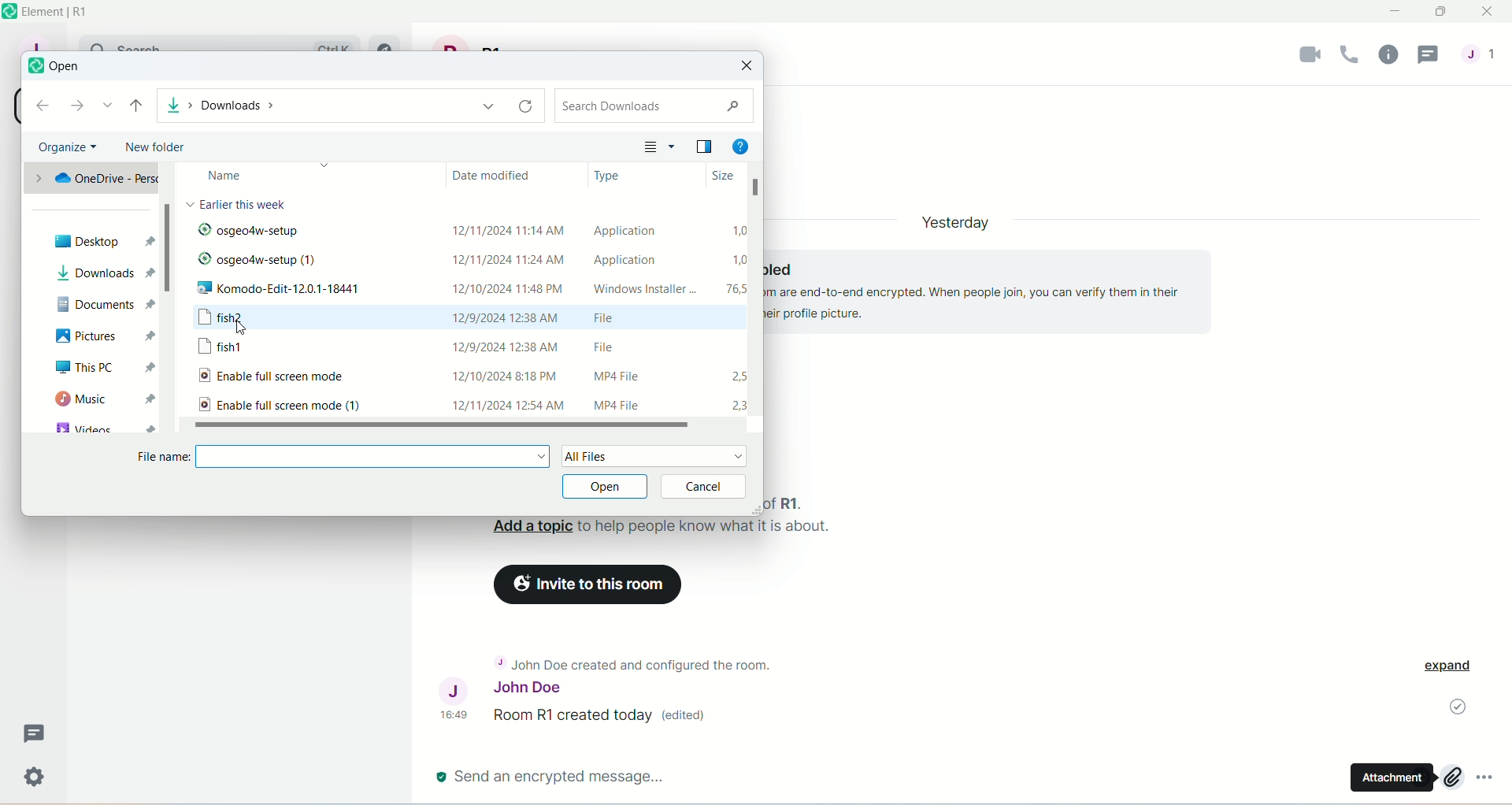 The image size is (1512, 805). I want to click on close, so click(748, 66).